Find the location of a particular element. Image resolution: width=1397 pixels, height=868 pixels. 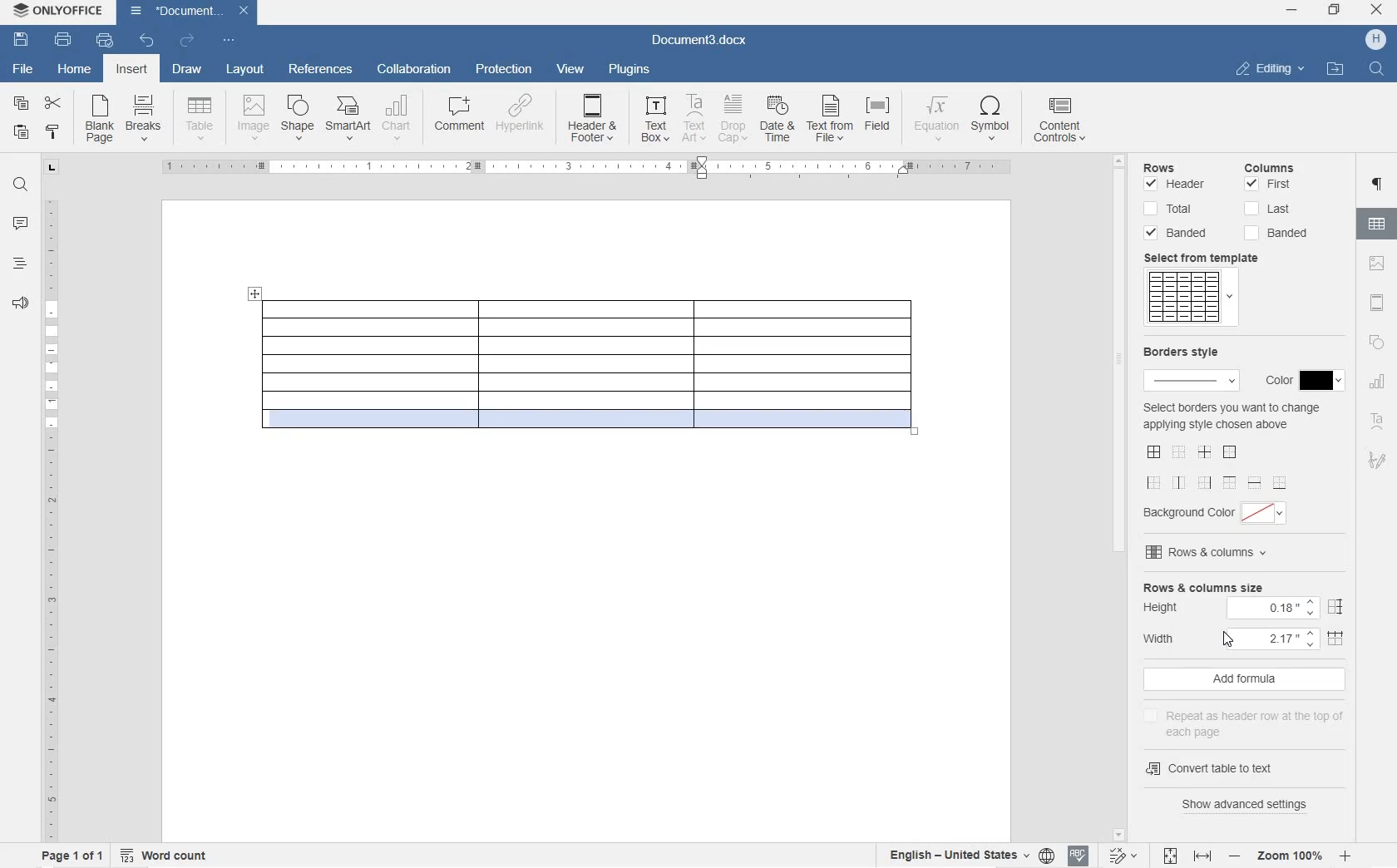

SYMBOL is located at coordinates (990, 121).